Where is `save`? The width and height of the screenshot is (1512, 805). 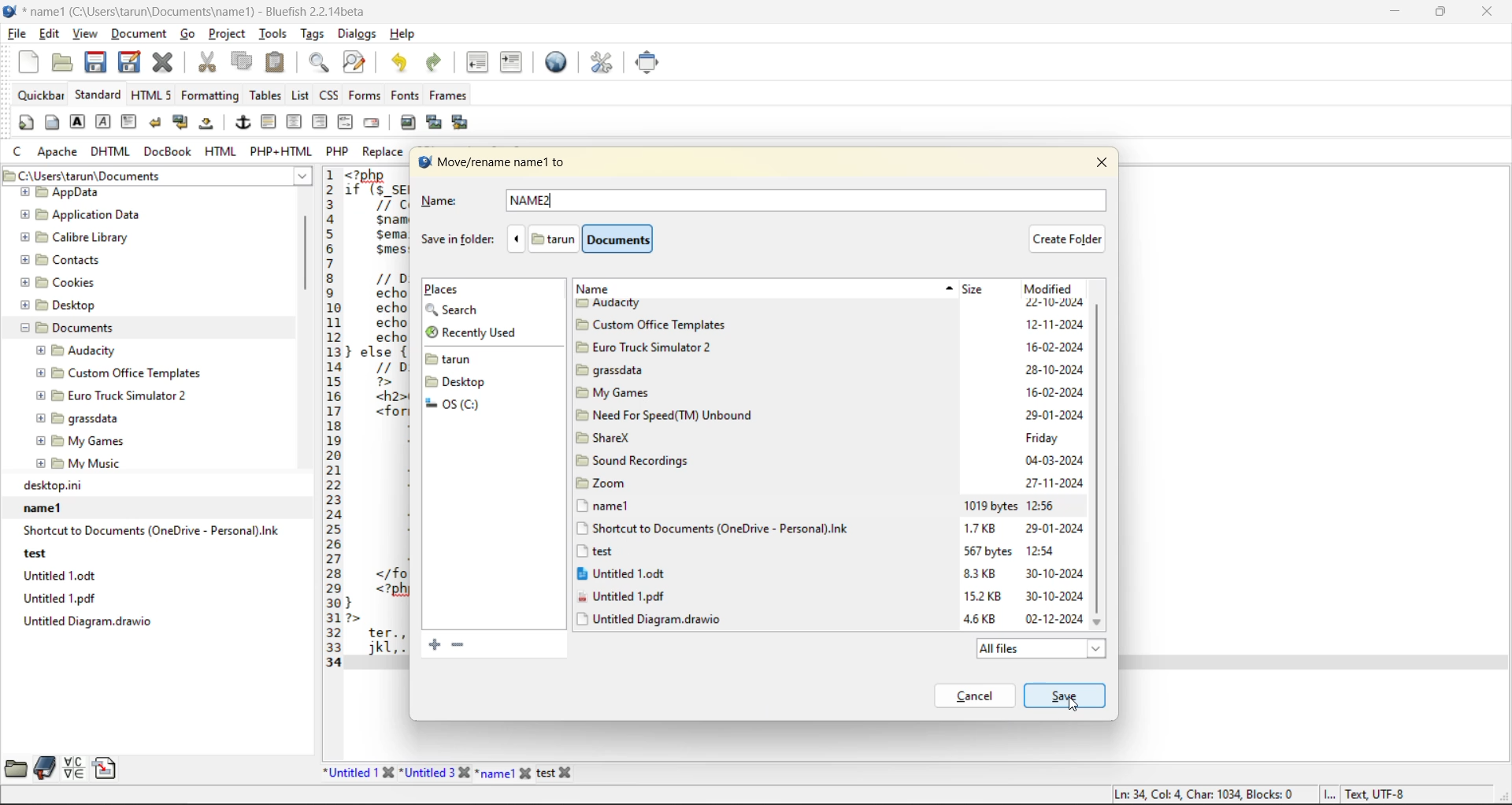
save is located at coordinates (1064, 693).